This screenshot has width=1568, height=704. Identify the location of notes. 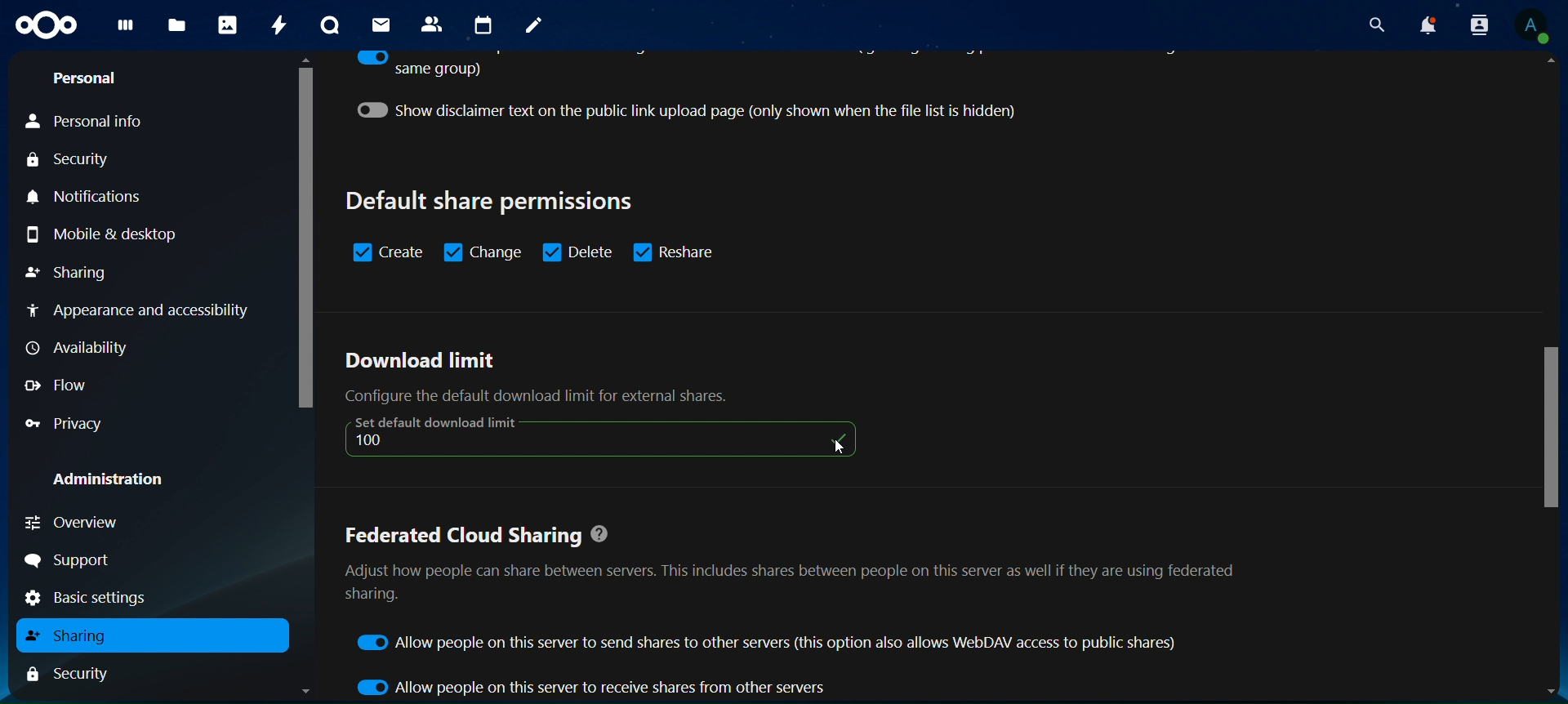
(535, 28).